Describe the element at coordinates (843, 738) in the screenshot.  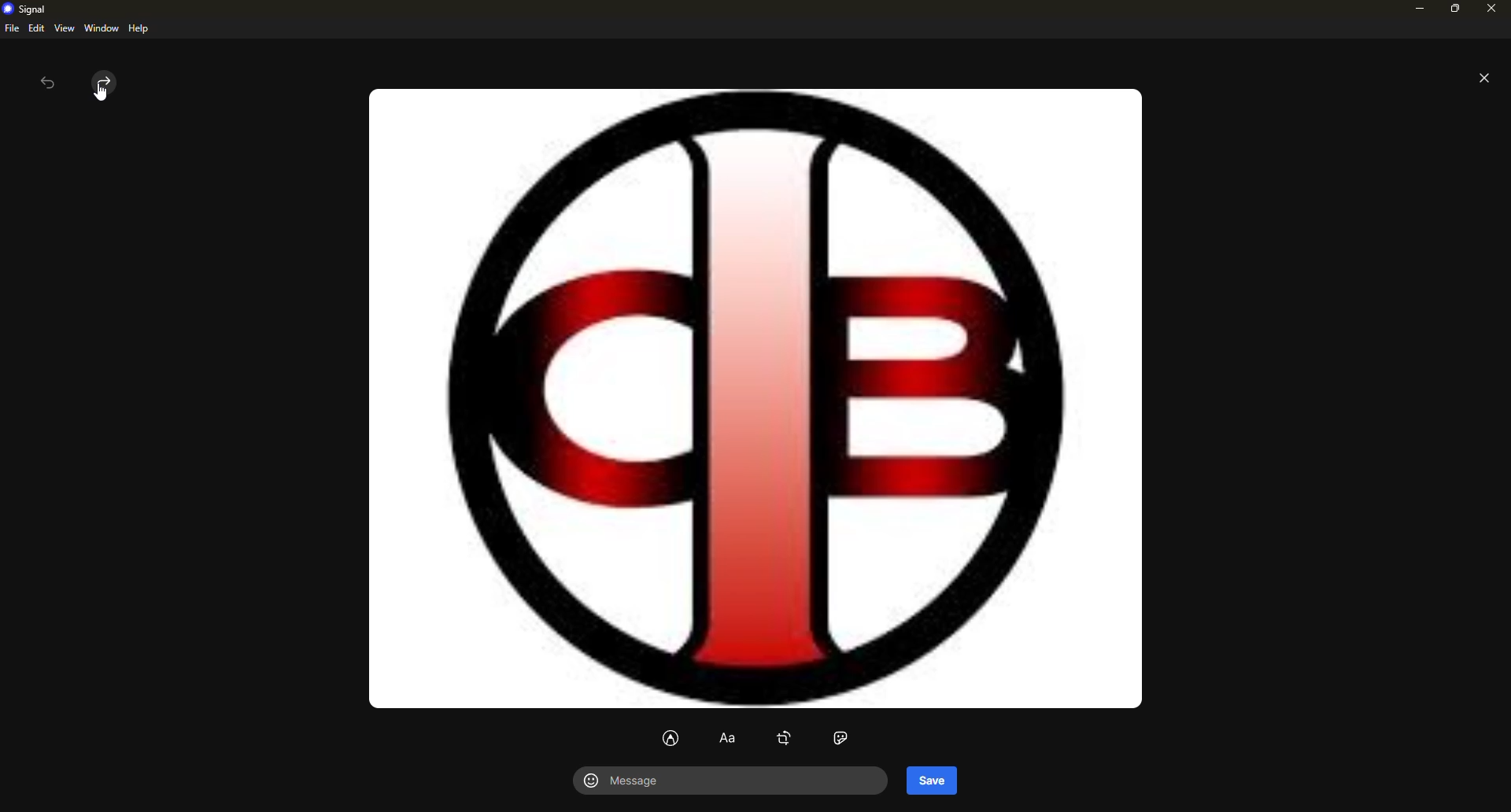
I see `sticker` at that location.